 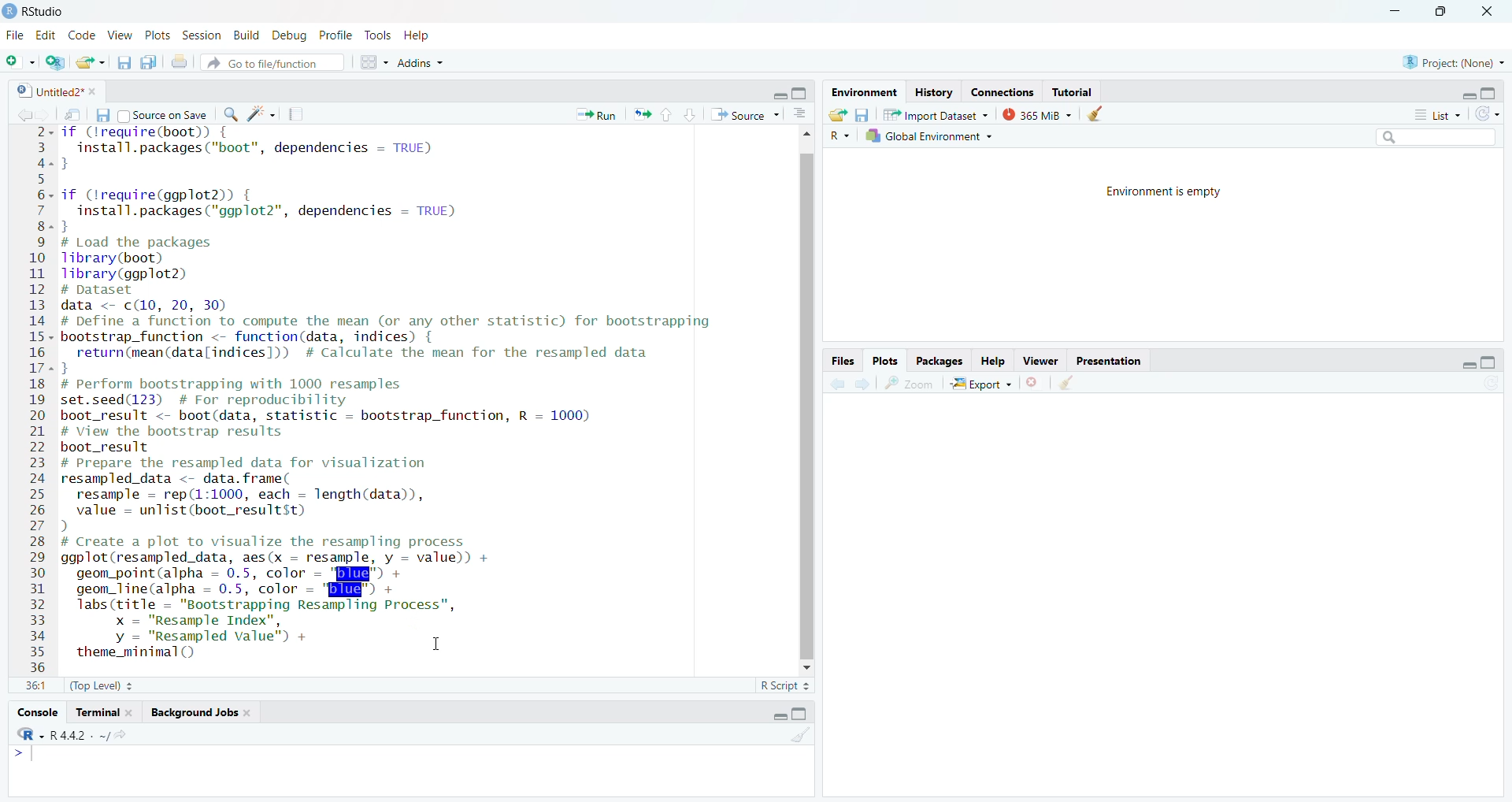 What do you see at coordinates (1166, 195) in the screenshot?
I see `Environment is empty` at bounding box center [1166, 195].